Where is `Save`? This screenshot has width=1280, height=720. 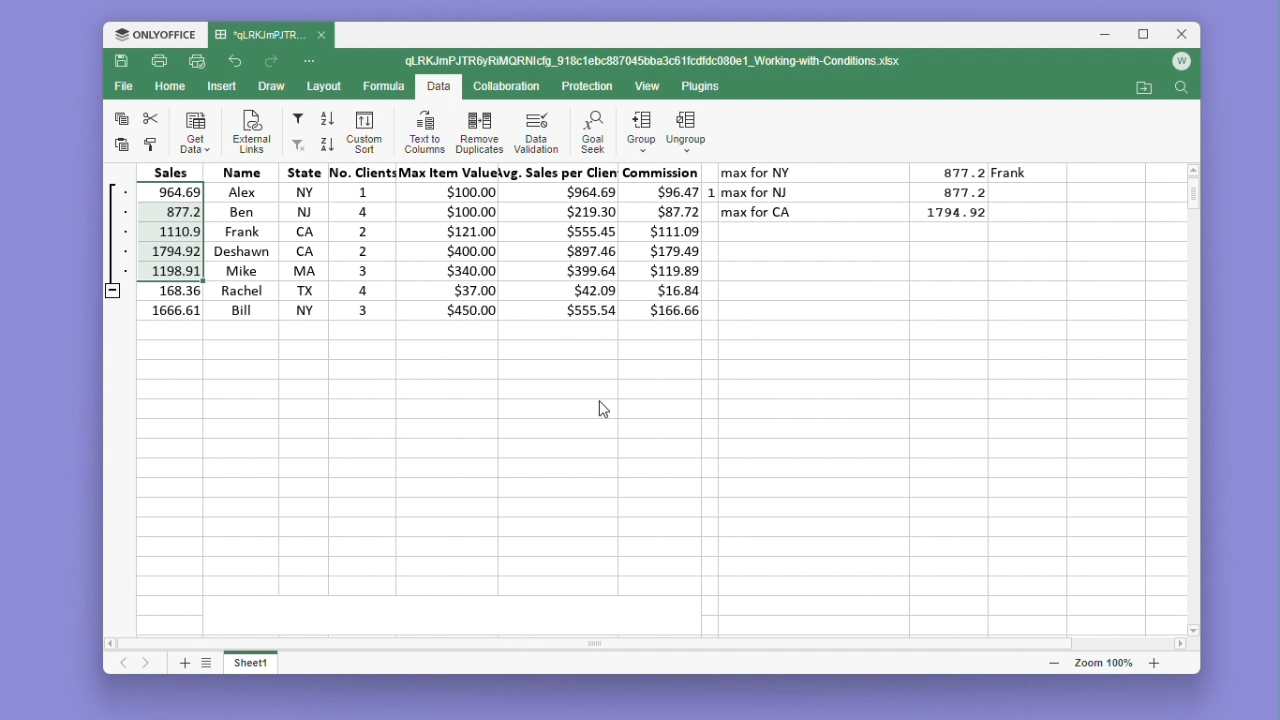 Save is located at coordinates (122, 62).